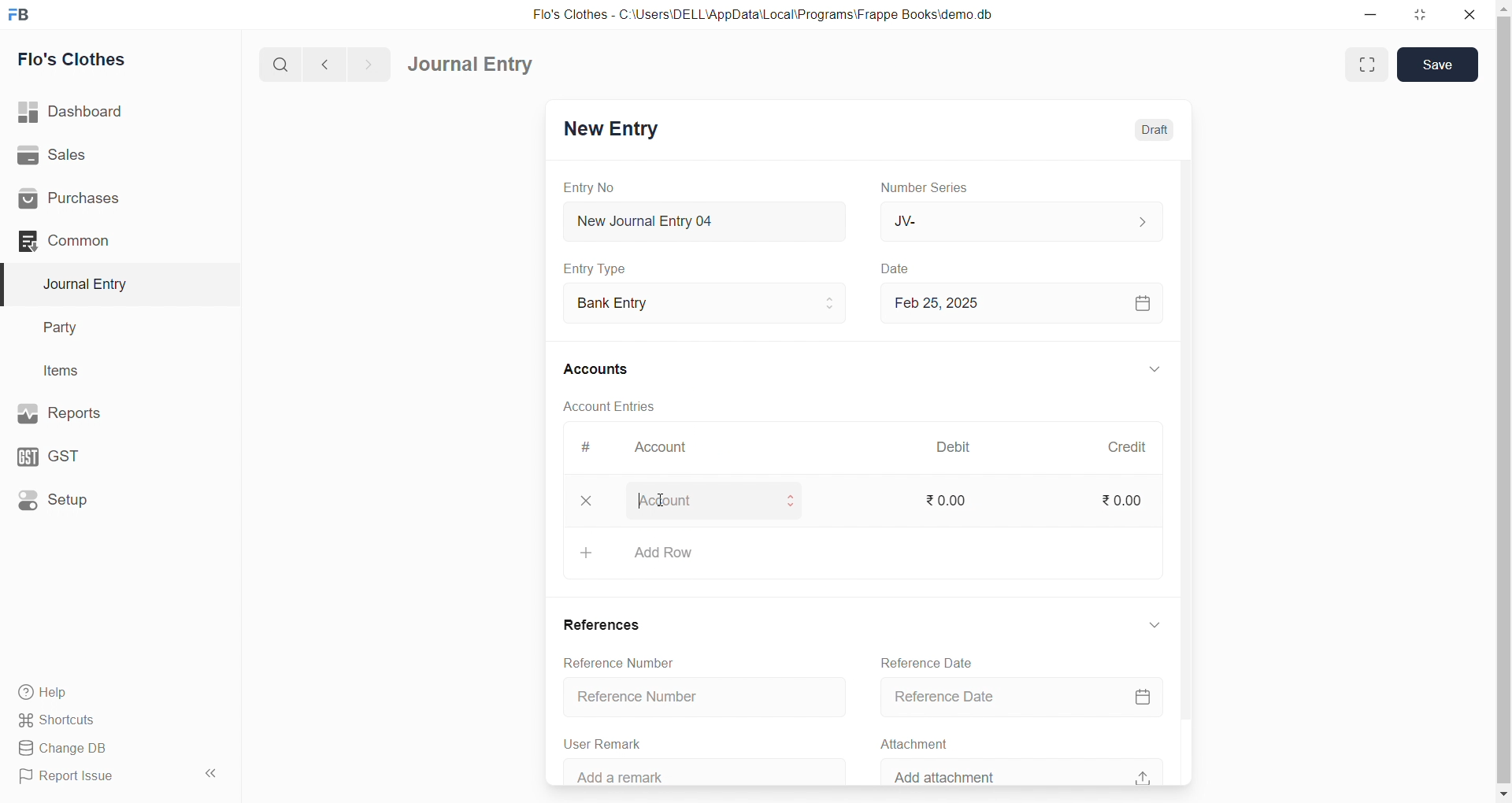 The width and height of the screenshot is (1512, 803). Describe the element at coordinates (1152, 371) in the screenshot. I see `Expand/Collapse` at that location.